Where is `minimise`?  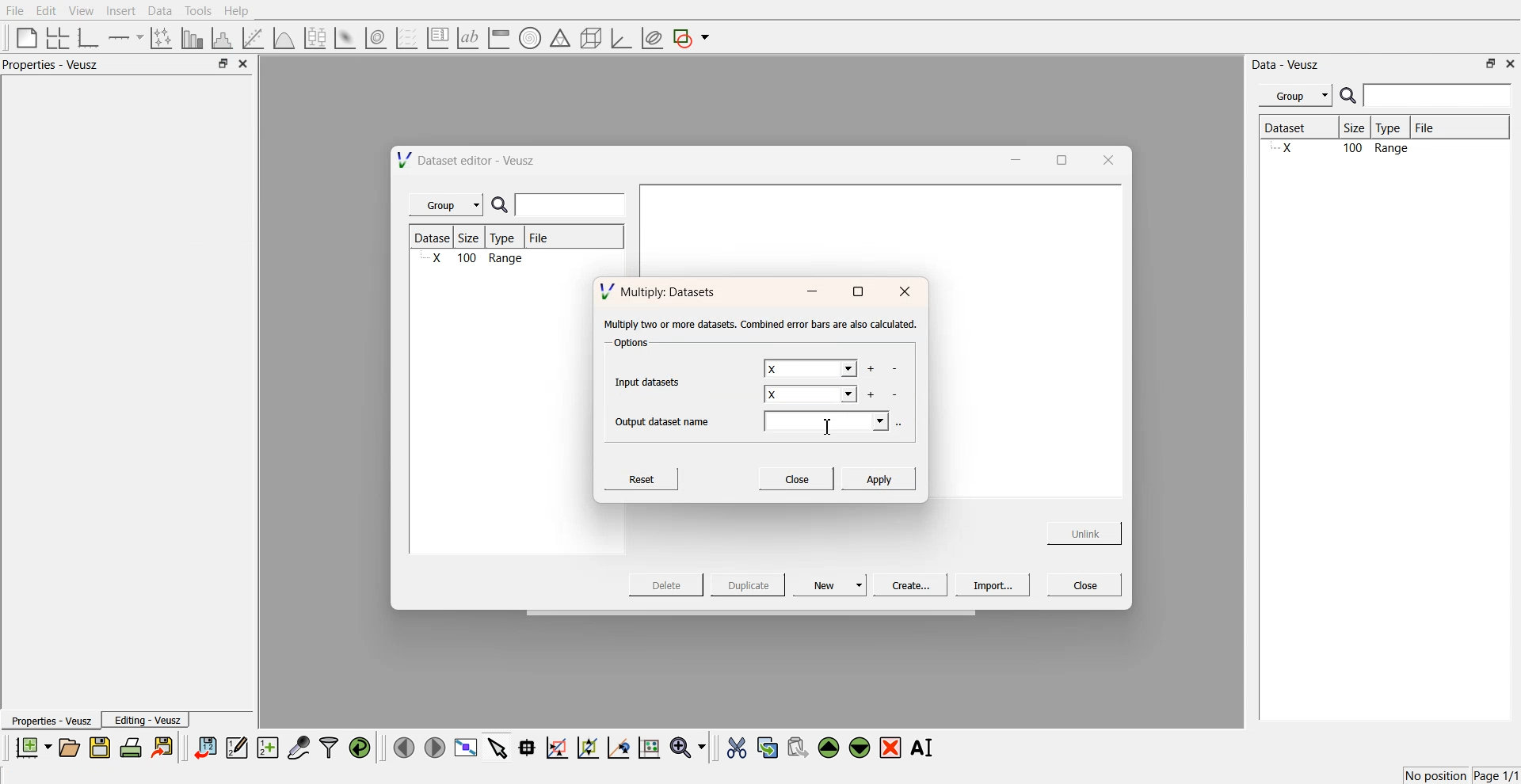
minimise is located at coordinates (1012, 158).